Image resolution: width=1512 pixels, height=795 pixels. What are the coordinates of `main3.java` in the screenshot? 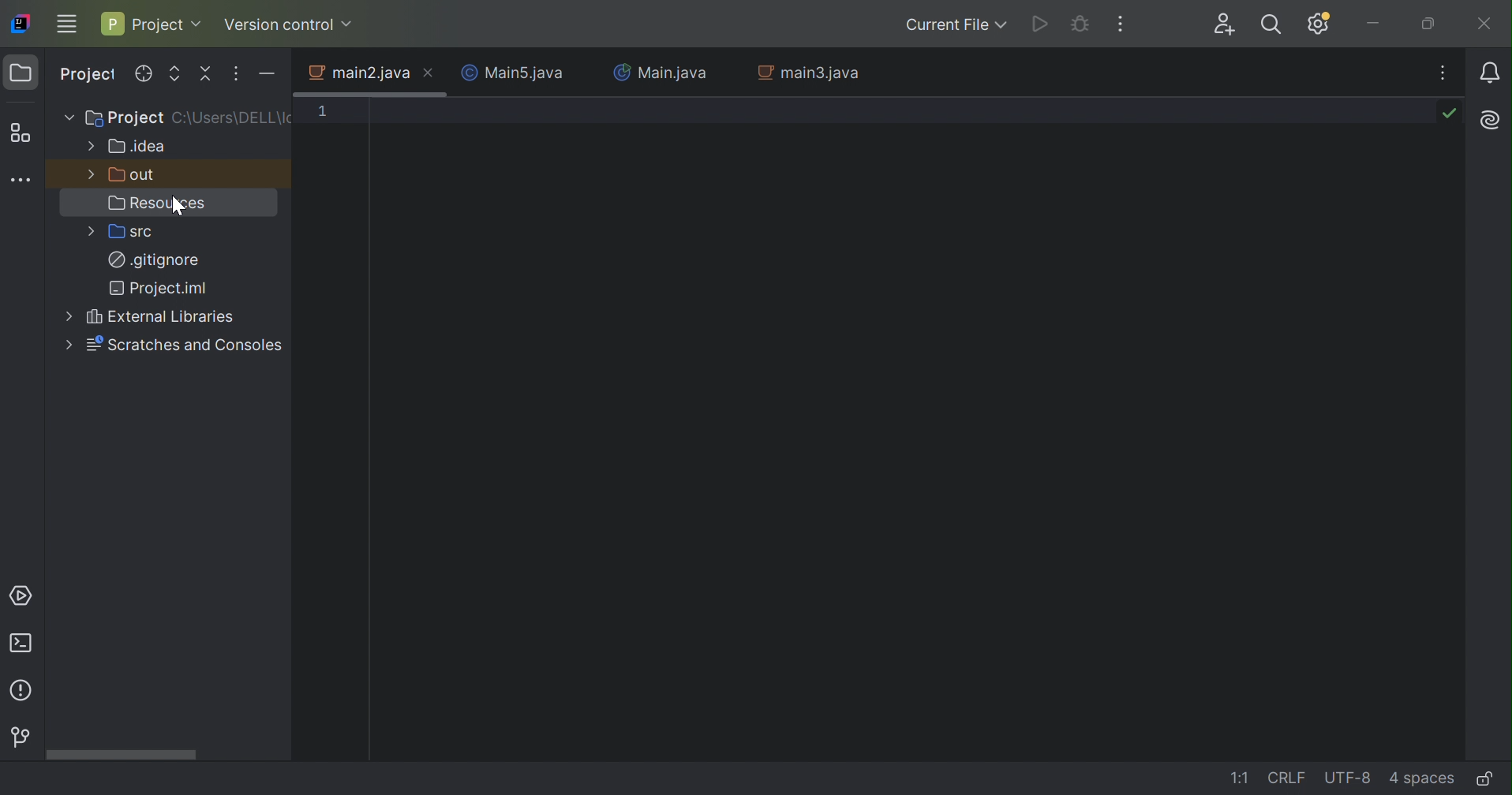 It's located at (809, 73).